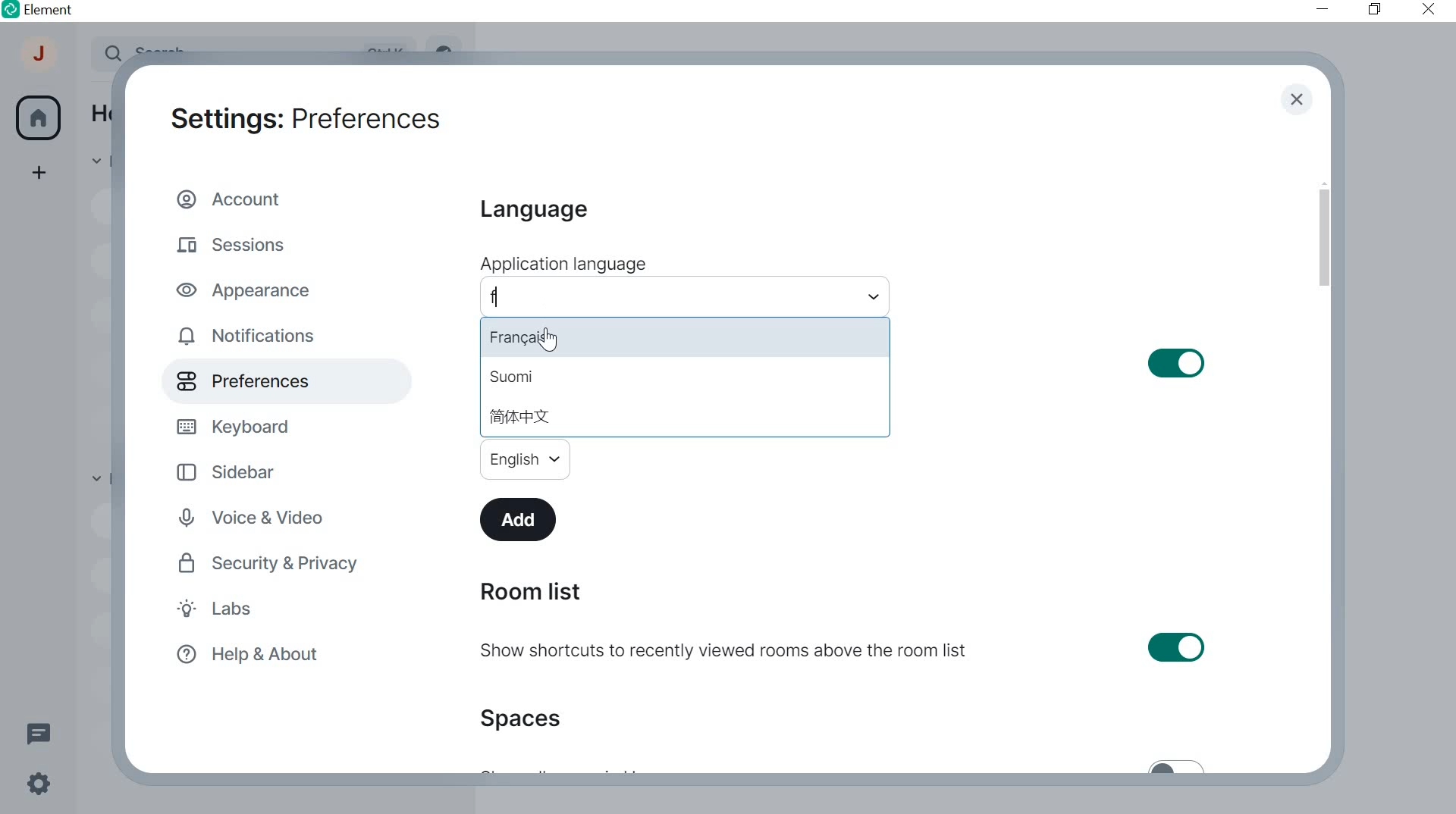 This screenshot has height=814, width=1456. I want to click on KEYBOARD, so click(237, 424).